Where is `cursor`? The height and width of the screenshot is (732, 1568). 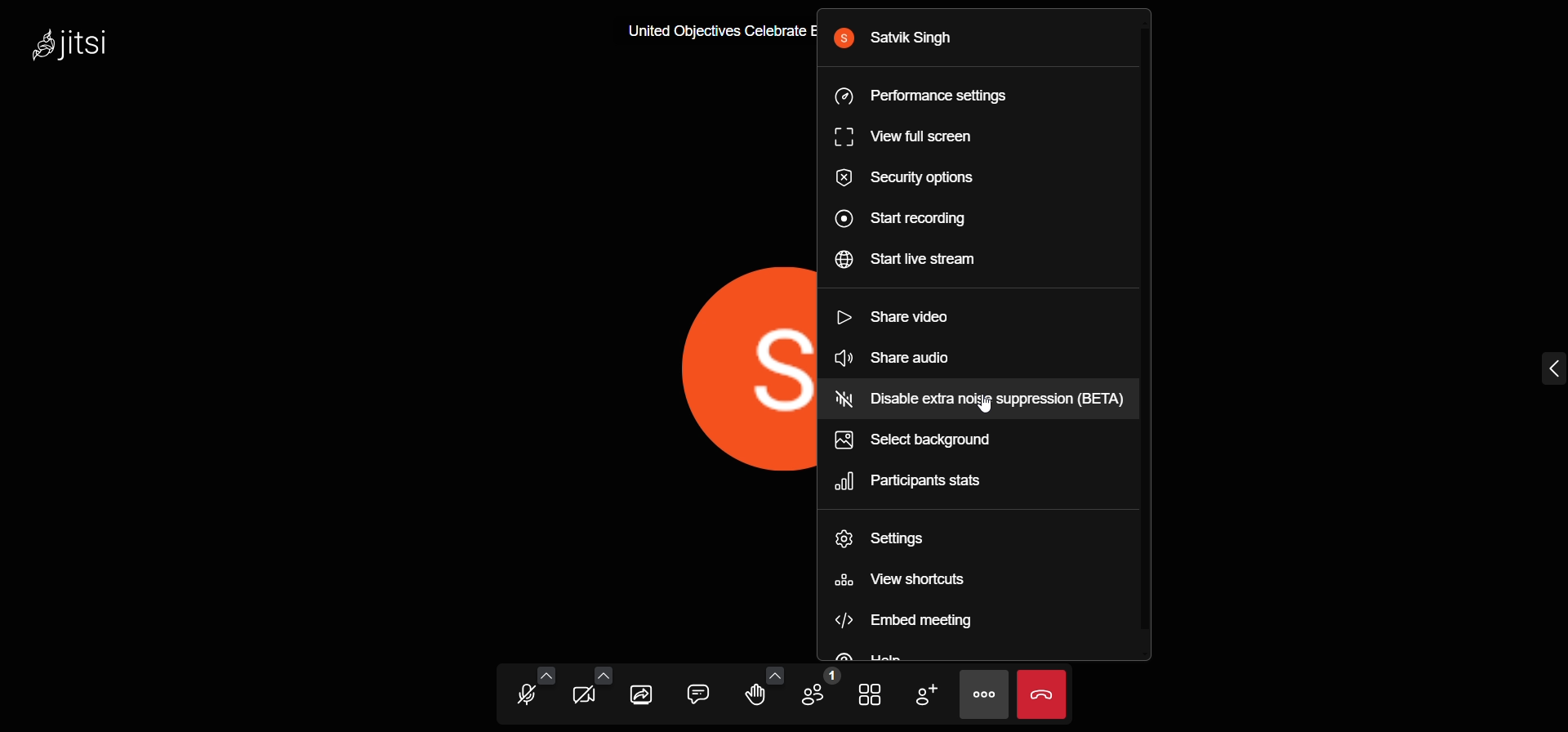
cursor is located at coordinates (1013, 412).